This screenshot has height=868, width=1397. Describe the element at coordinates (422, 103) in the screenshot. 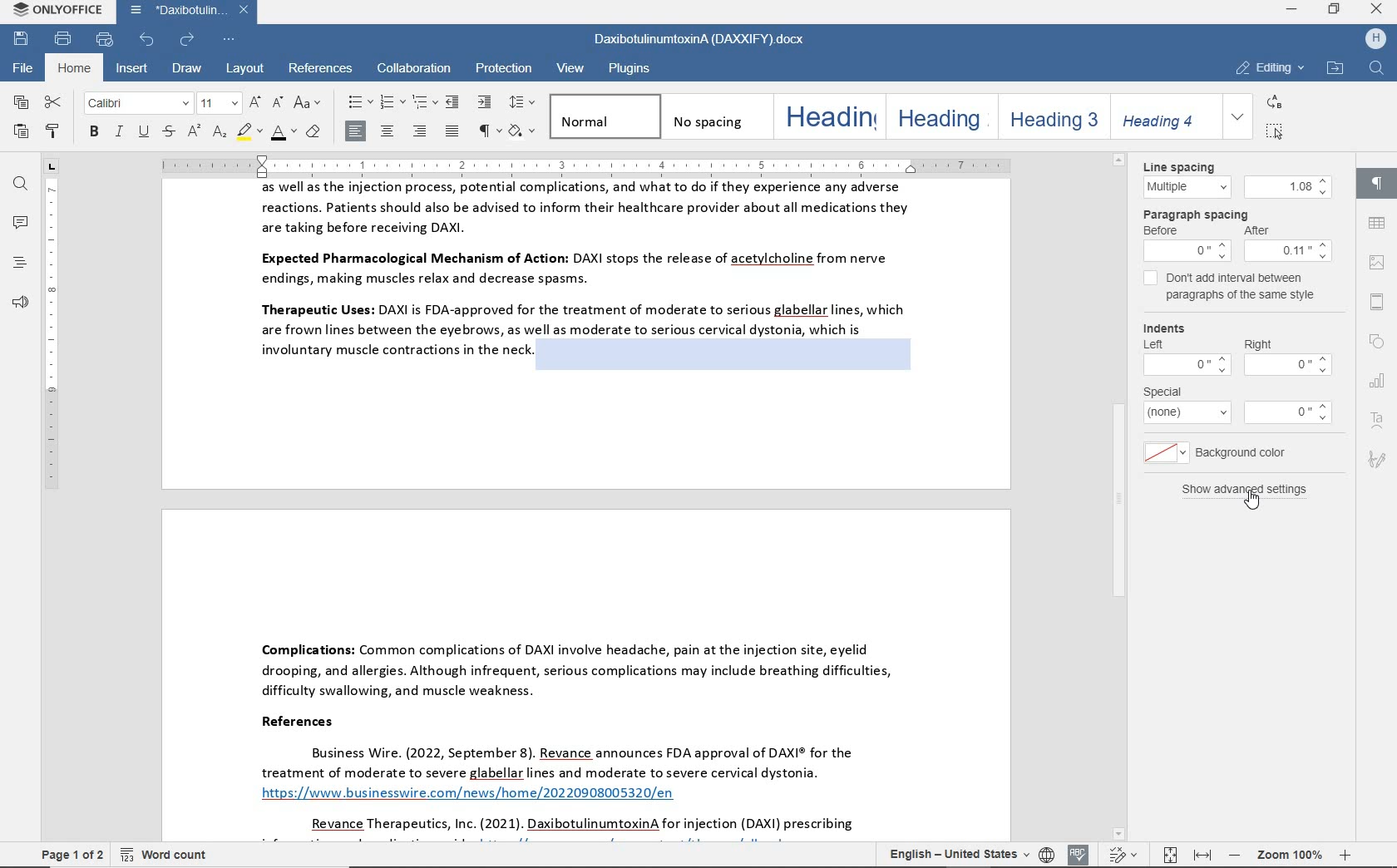

I see `multilevel list` at that location.